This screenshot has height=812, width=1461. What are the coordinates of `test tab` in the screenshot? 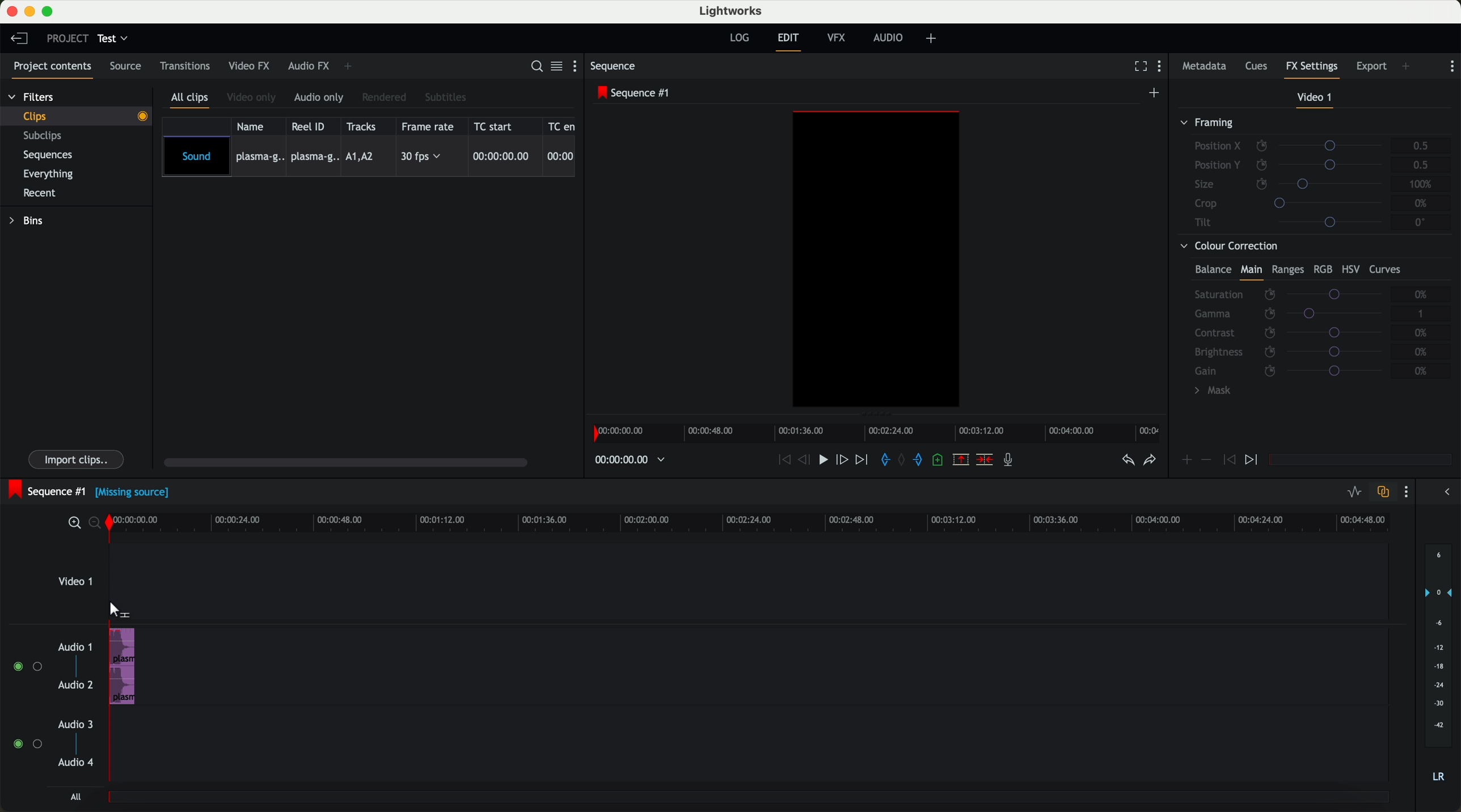 It's located at (114, 36).